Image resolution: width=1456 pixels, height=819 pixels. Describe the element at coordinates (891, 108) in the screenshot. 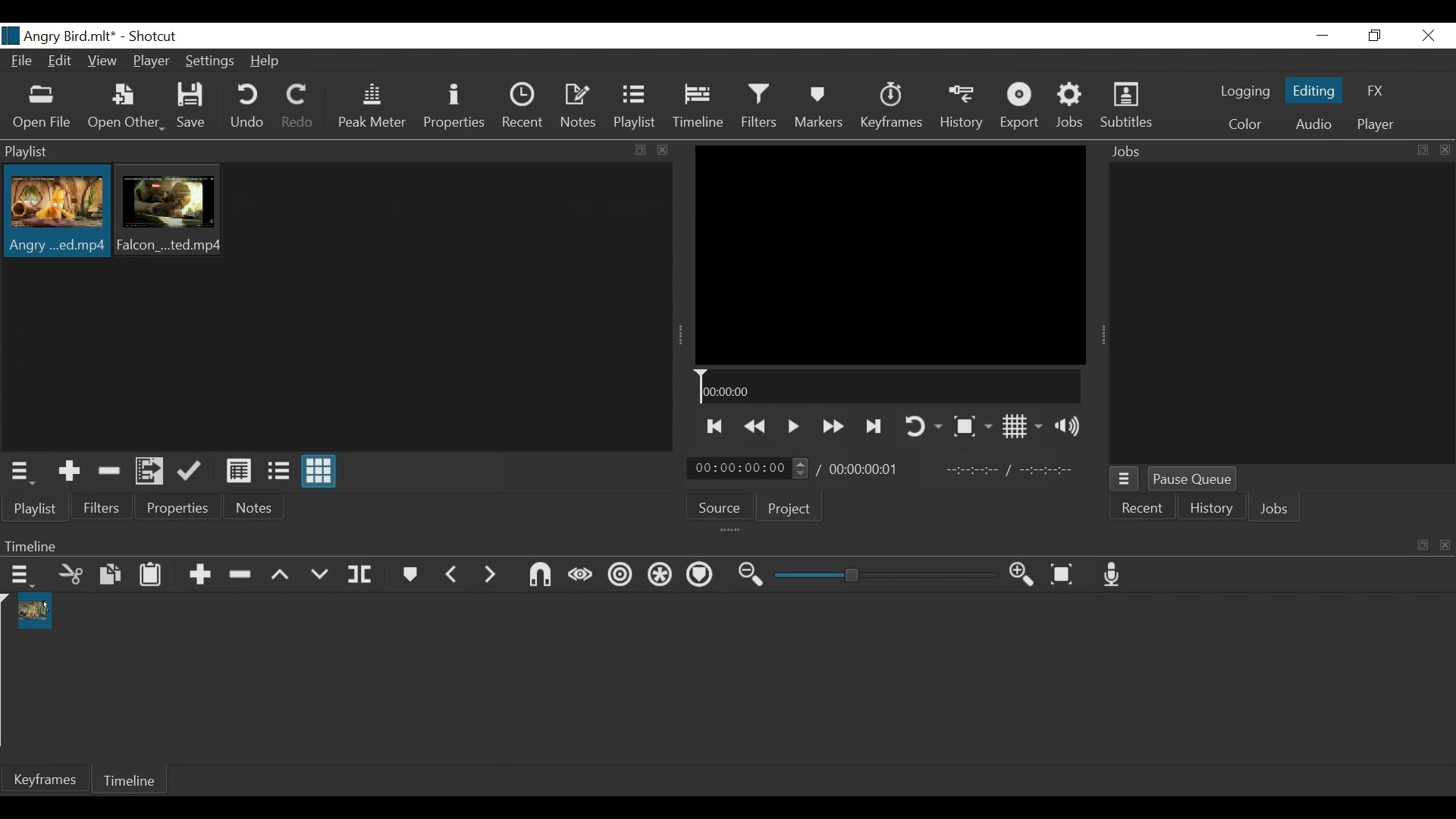

I see `Keyframes` at that location.